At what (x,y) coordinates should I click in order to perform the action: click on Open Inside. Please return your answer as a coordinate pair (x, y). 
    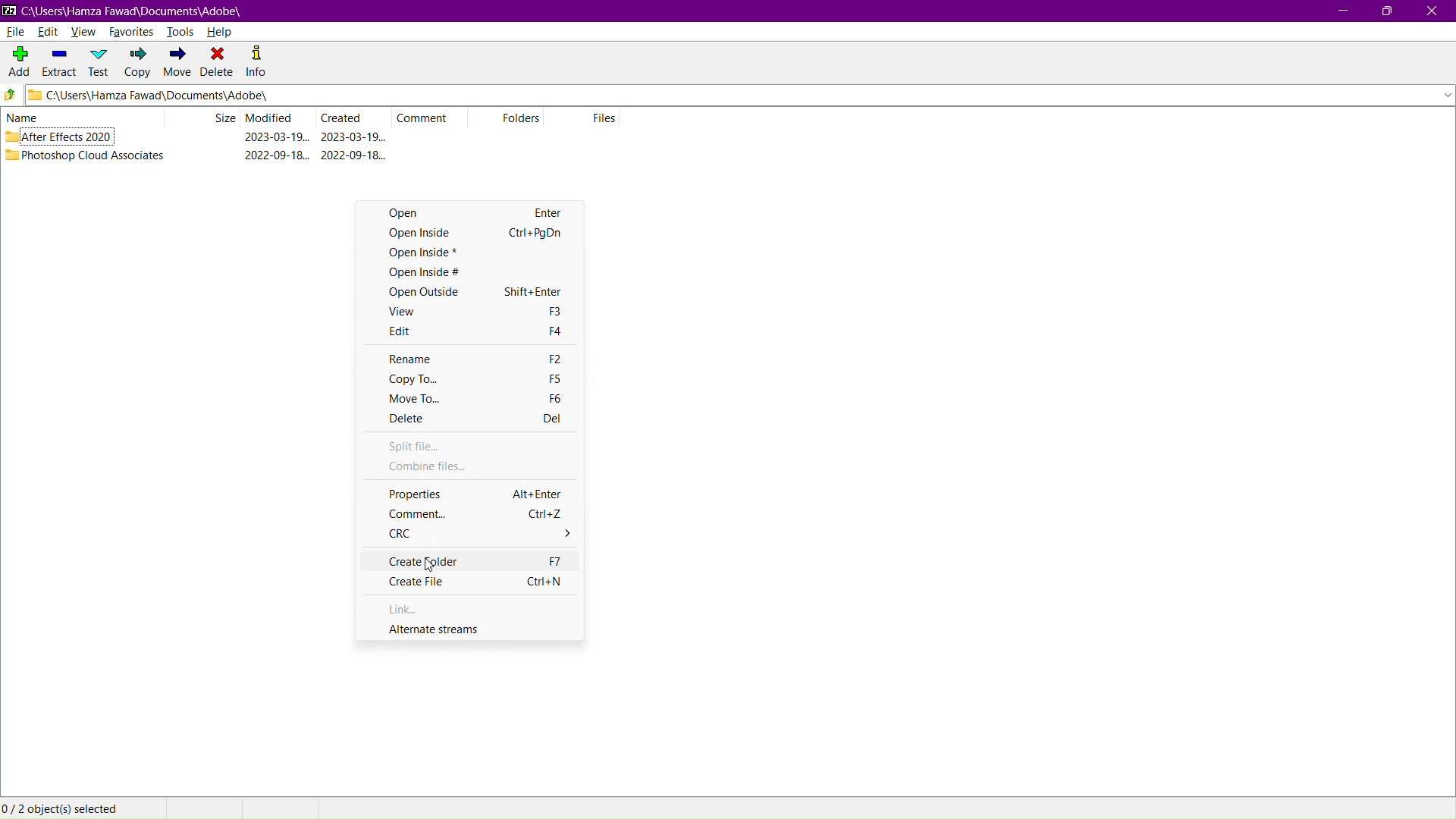
    Looking at the image, I should click on (469, 232).